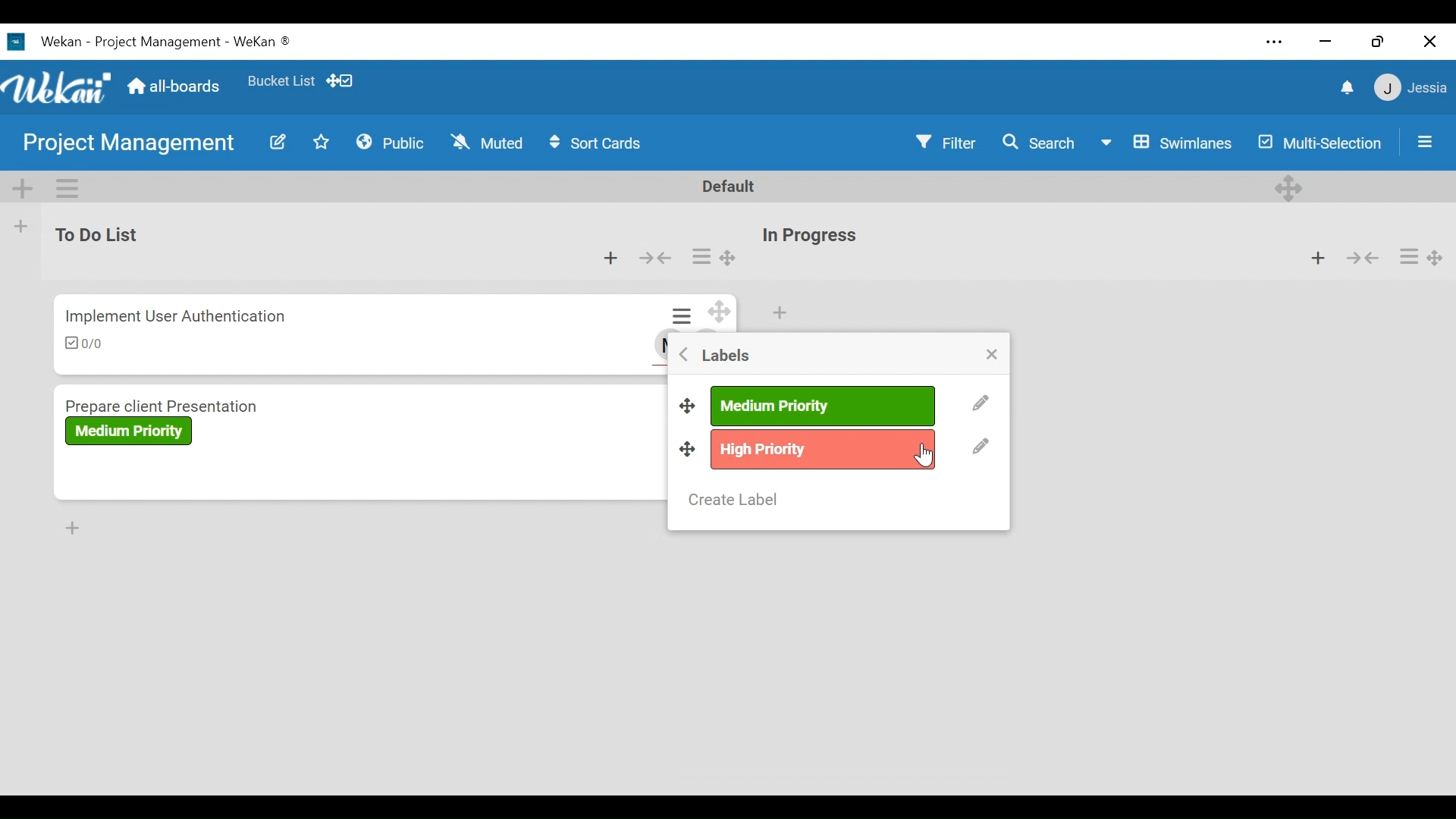 Image resolution: width=1456 pixels, height=819 pixels. I want to click on Wekan Desktop Icon, so click(156, 40).